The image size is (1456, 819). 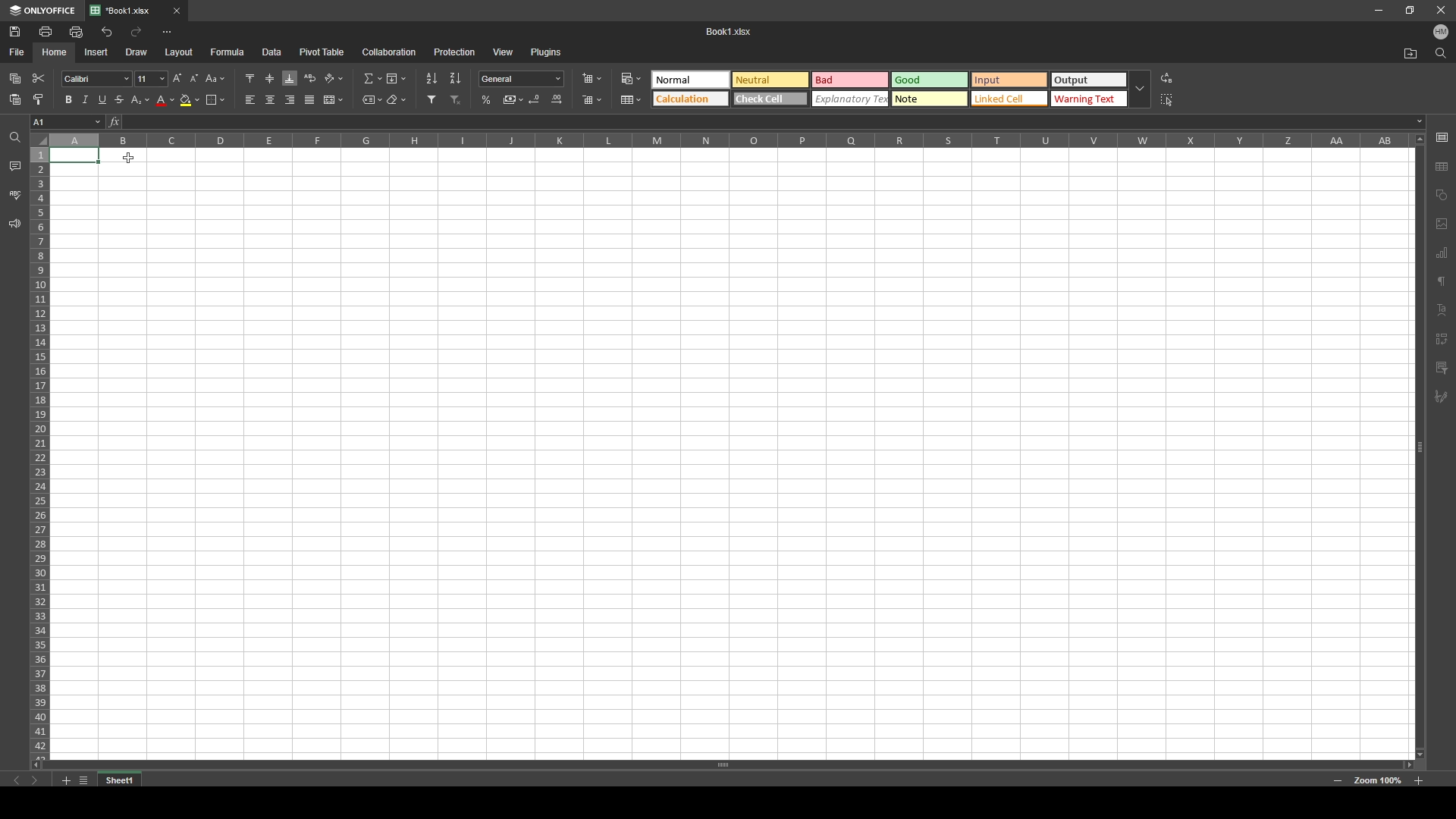 What do you see at coordinates (1011, 80) in the screenshot?
I see `Input` at bounding box center [1011, 80].